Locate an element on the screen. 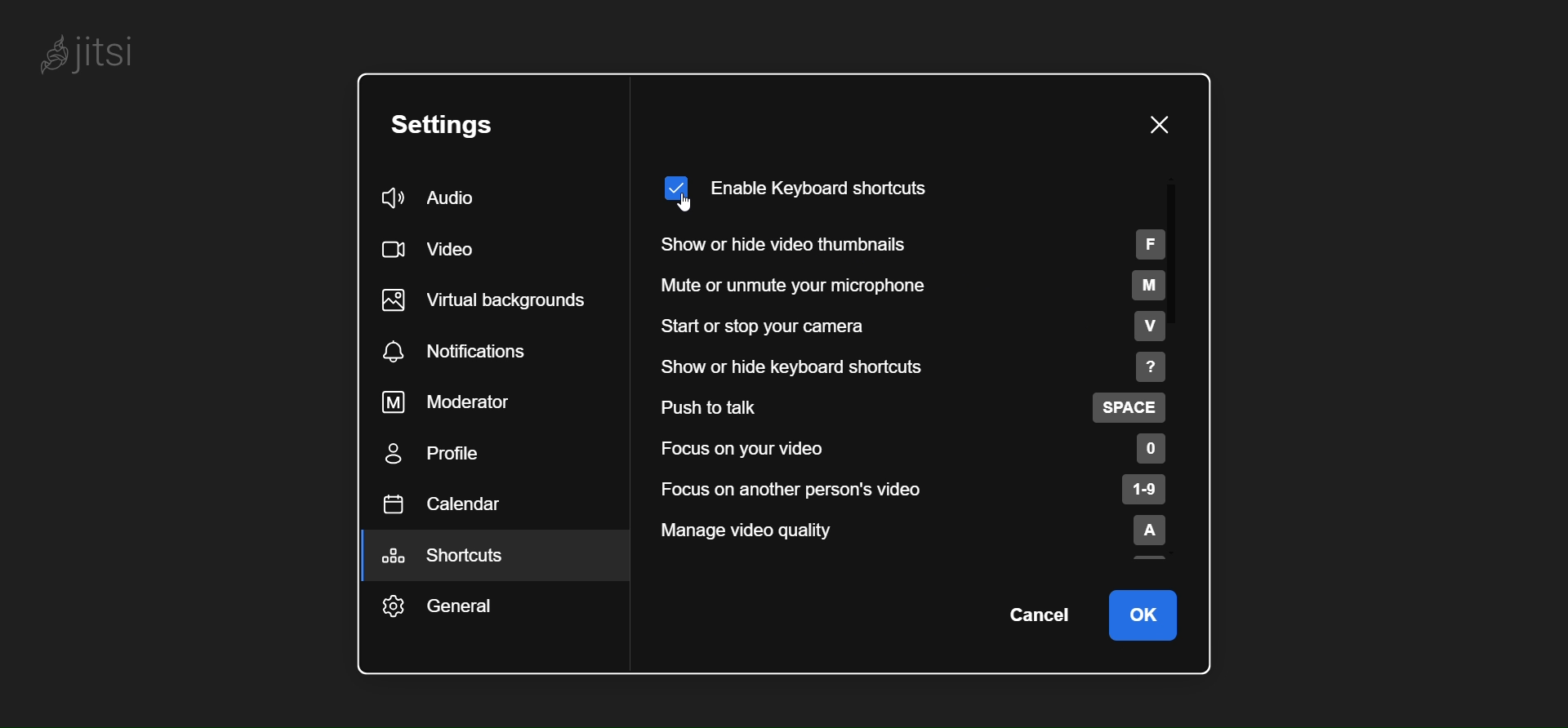 The width and height of the screenshot is (1568, 728). close pane is located at coordinates (1160, 123).